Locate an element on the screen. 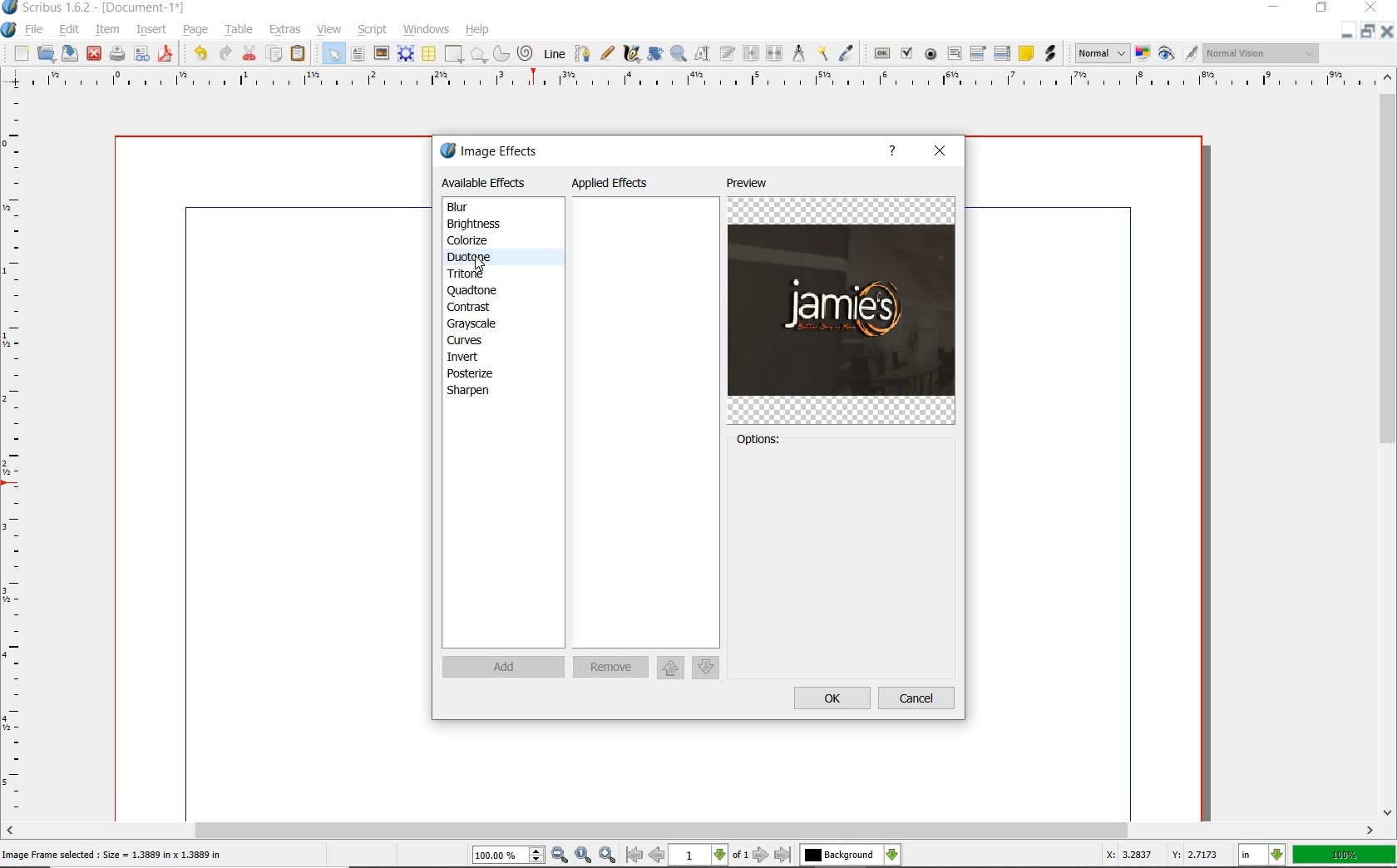 This screenshot has width=1397, height=868. help is located at coordinates (895, 152).